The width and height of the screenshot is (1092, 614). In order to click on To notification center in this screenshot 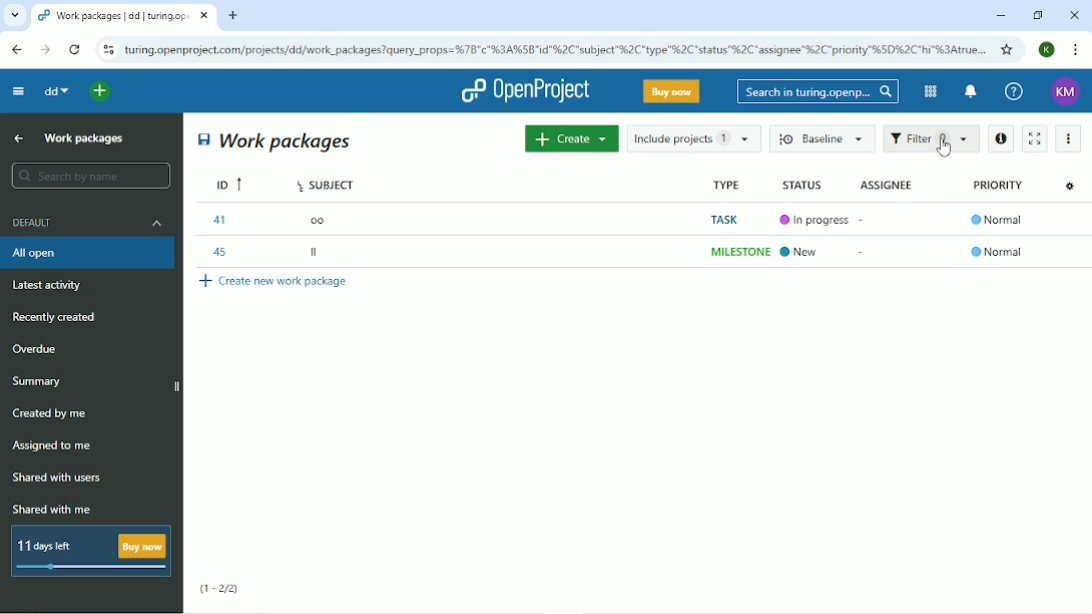, I will do `click(969, 93)`.